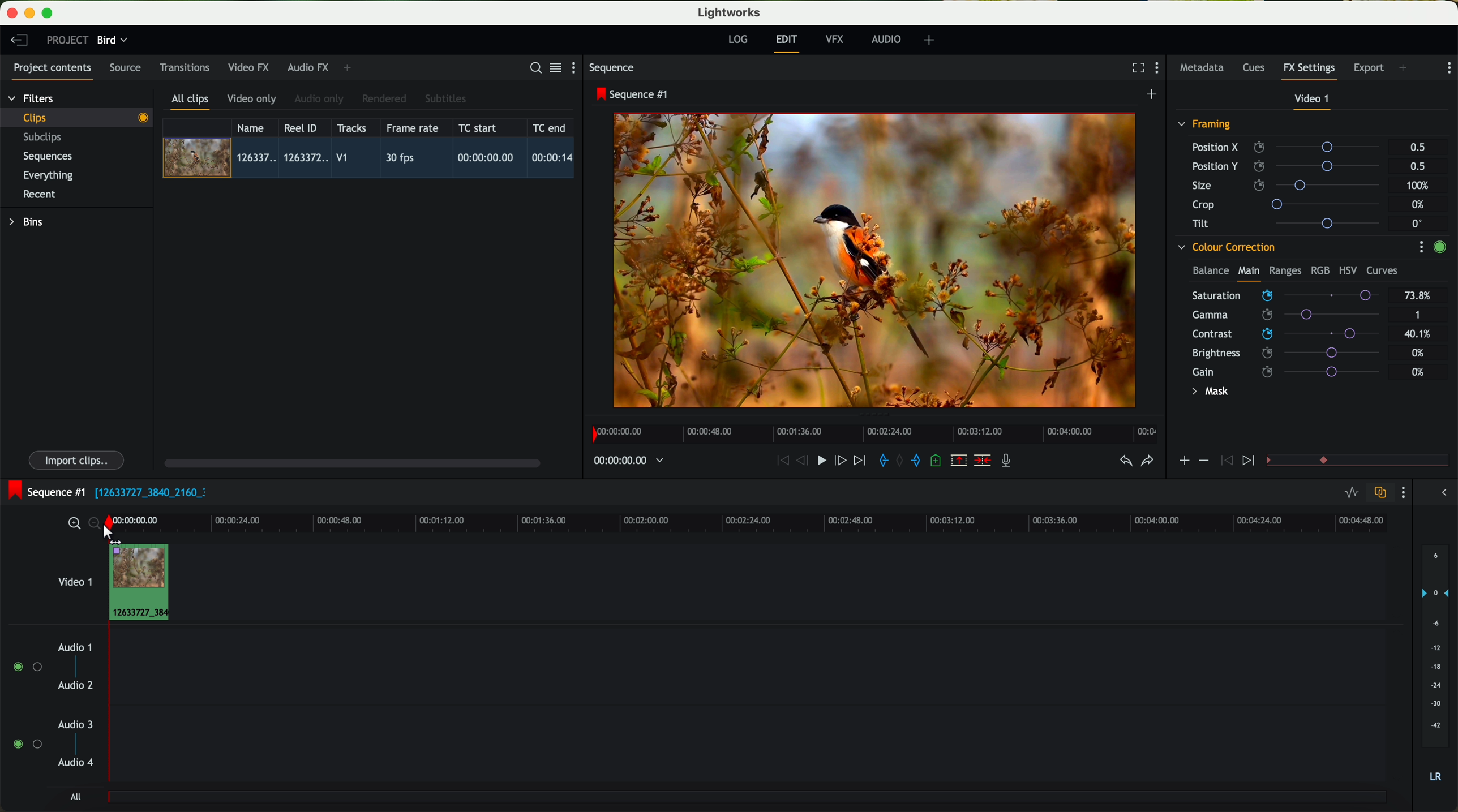 Image resolution: width=1458 pixels, height=812 pixels. What do you see at coordinates (1250, 461) in the screenshot?
I see `icon` at bounding box center [1250, 461].